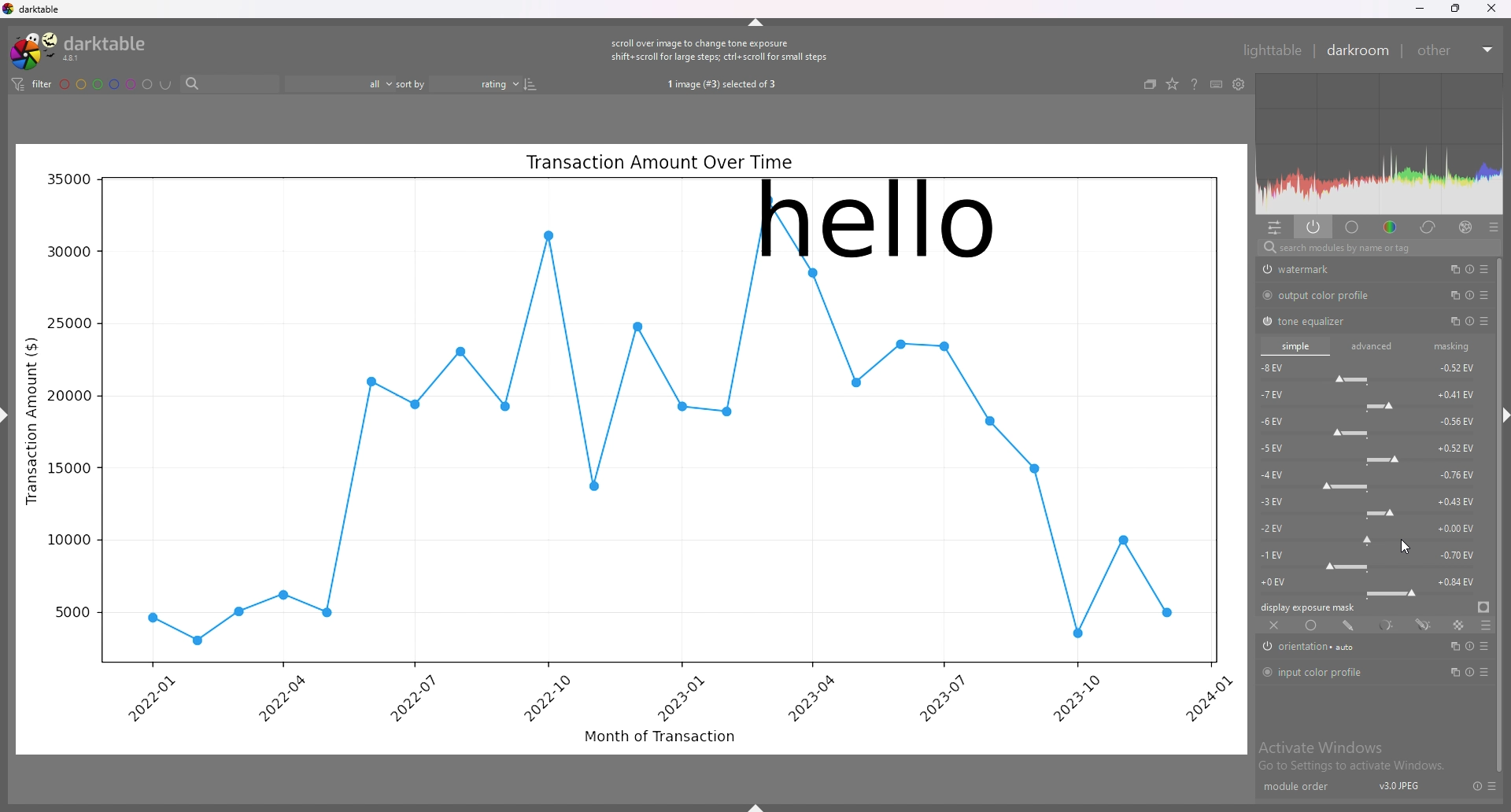 Image resolution: width=1511 pixels, height=812 pixels. Describe the element at coordinates (1456, 625) in the screenshot. I see `raster mask` at that location.